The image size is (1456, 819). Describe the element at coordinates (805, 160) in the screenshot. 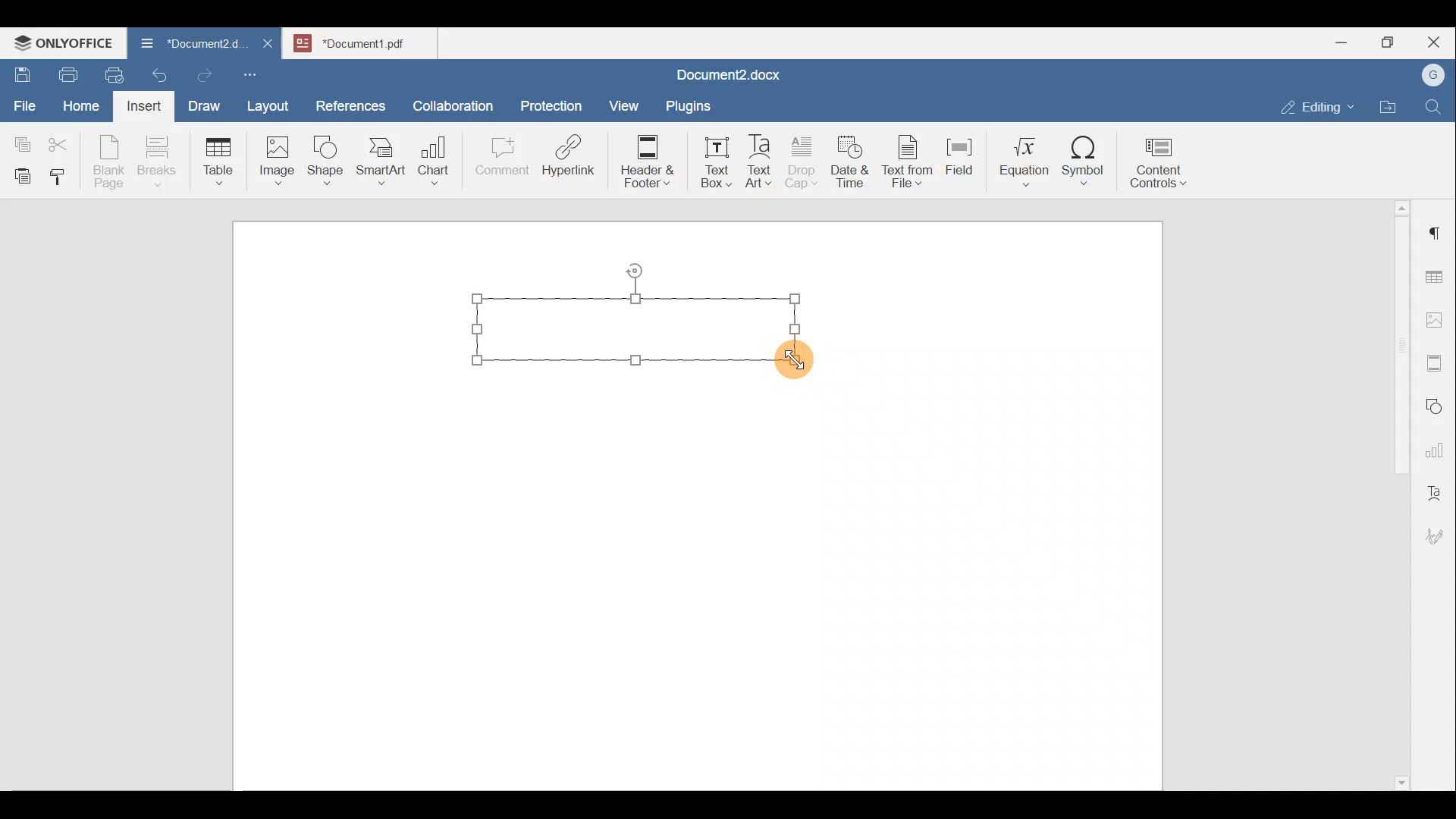

I see `Drop cap` at that location.